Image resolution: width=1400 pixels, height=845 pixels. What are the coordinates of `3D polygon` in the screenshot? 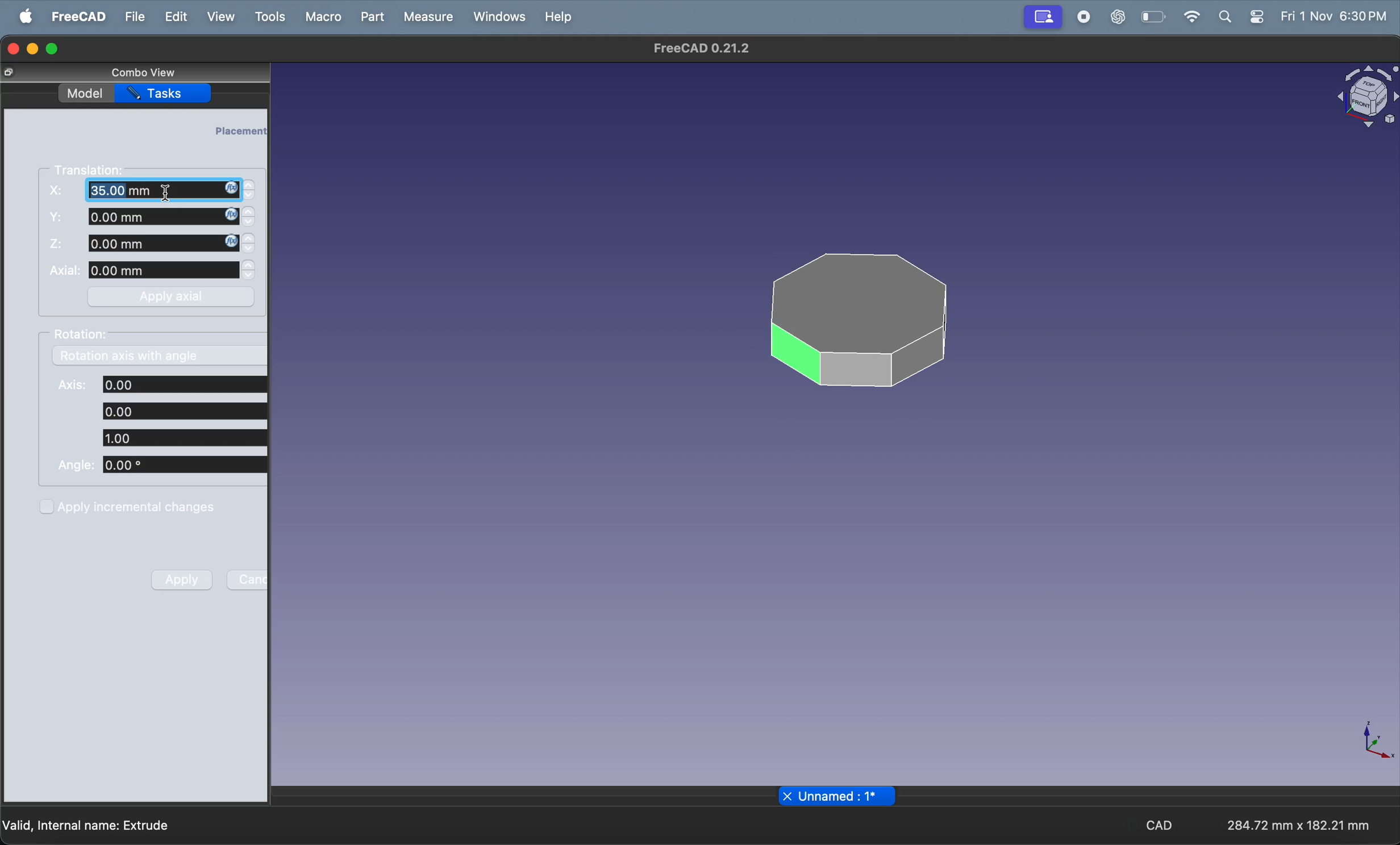 It's located at (855, 320).